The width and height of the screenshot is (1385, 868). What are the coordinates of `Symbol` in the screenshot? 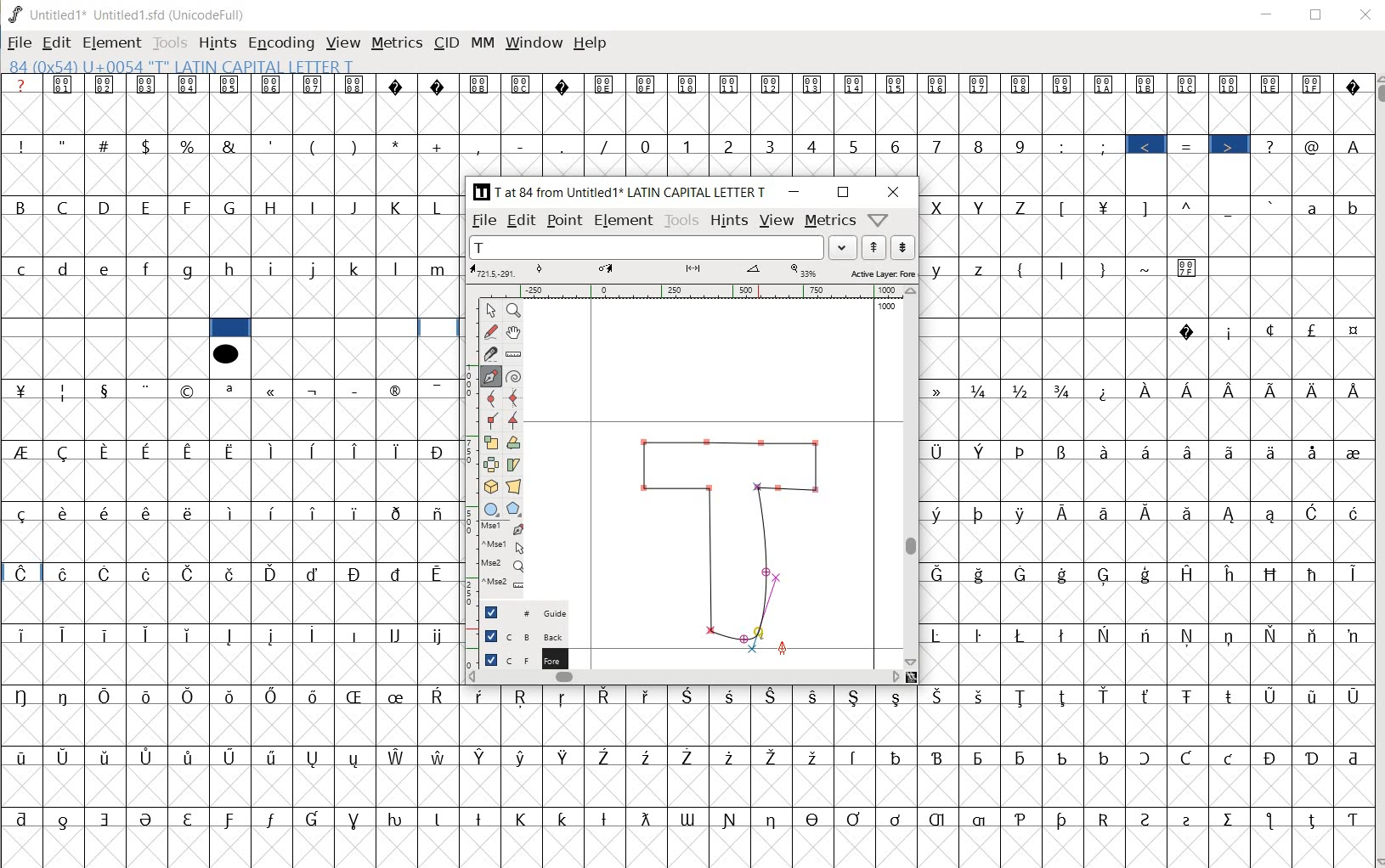 It's located at (22, 819).